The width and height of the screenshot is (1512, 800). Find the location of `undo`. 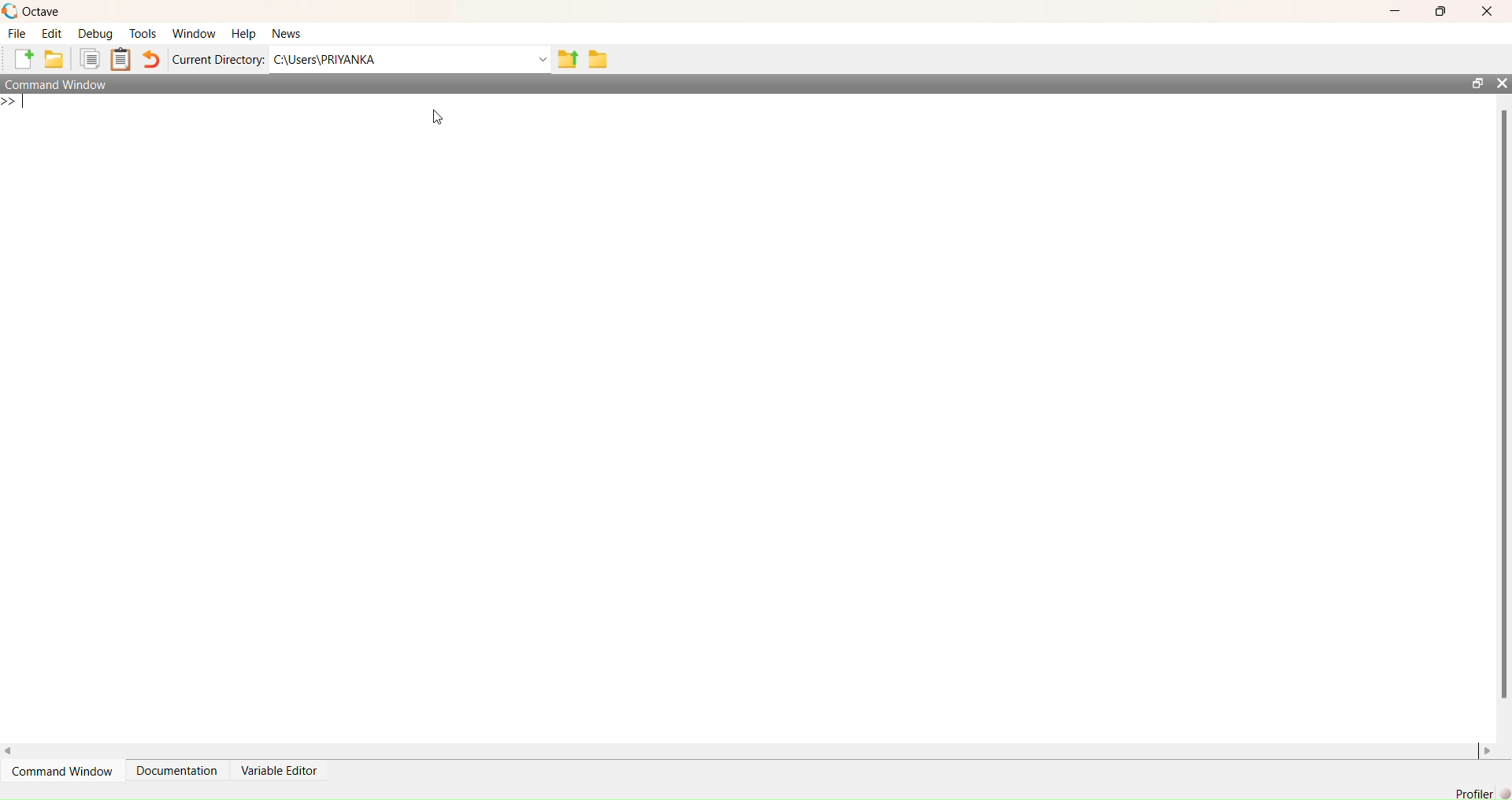

undo is located at coordinates (150, 59).